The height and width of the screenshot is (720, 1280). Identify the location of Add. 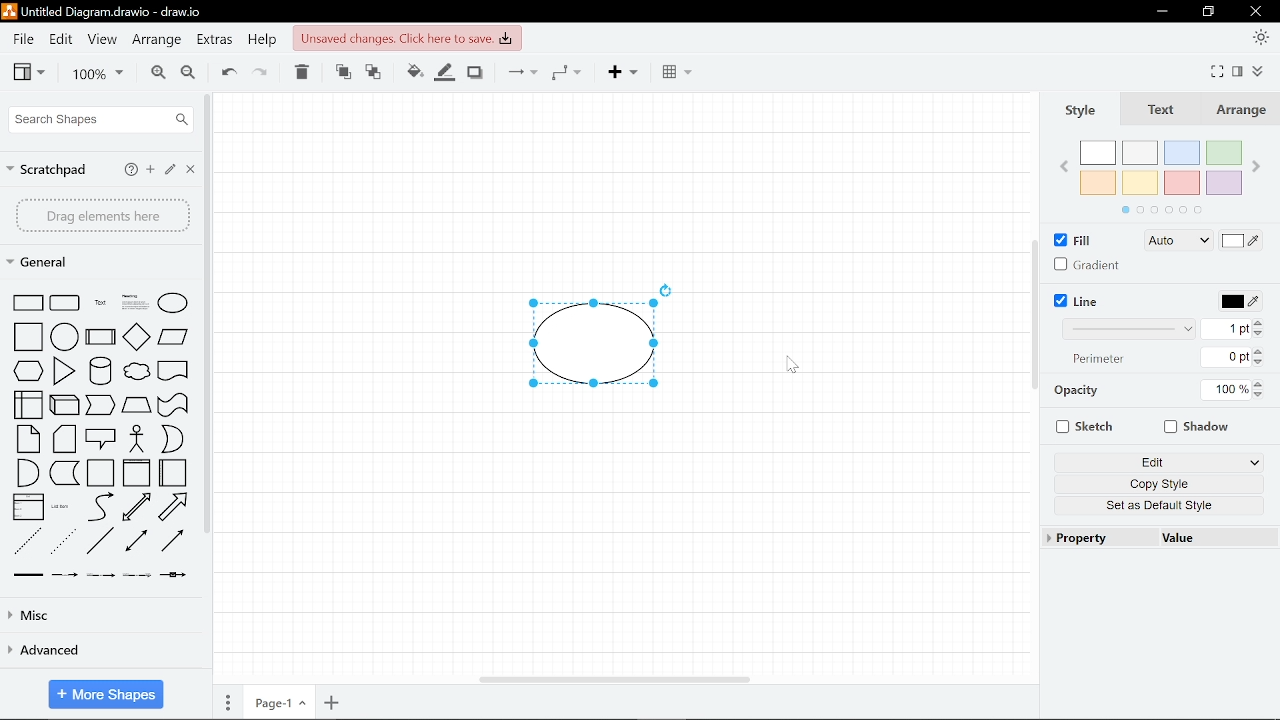
(624, 73).